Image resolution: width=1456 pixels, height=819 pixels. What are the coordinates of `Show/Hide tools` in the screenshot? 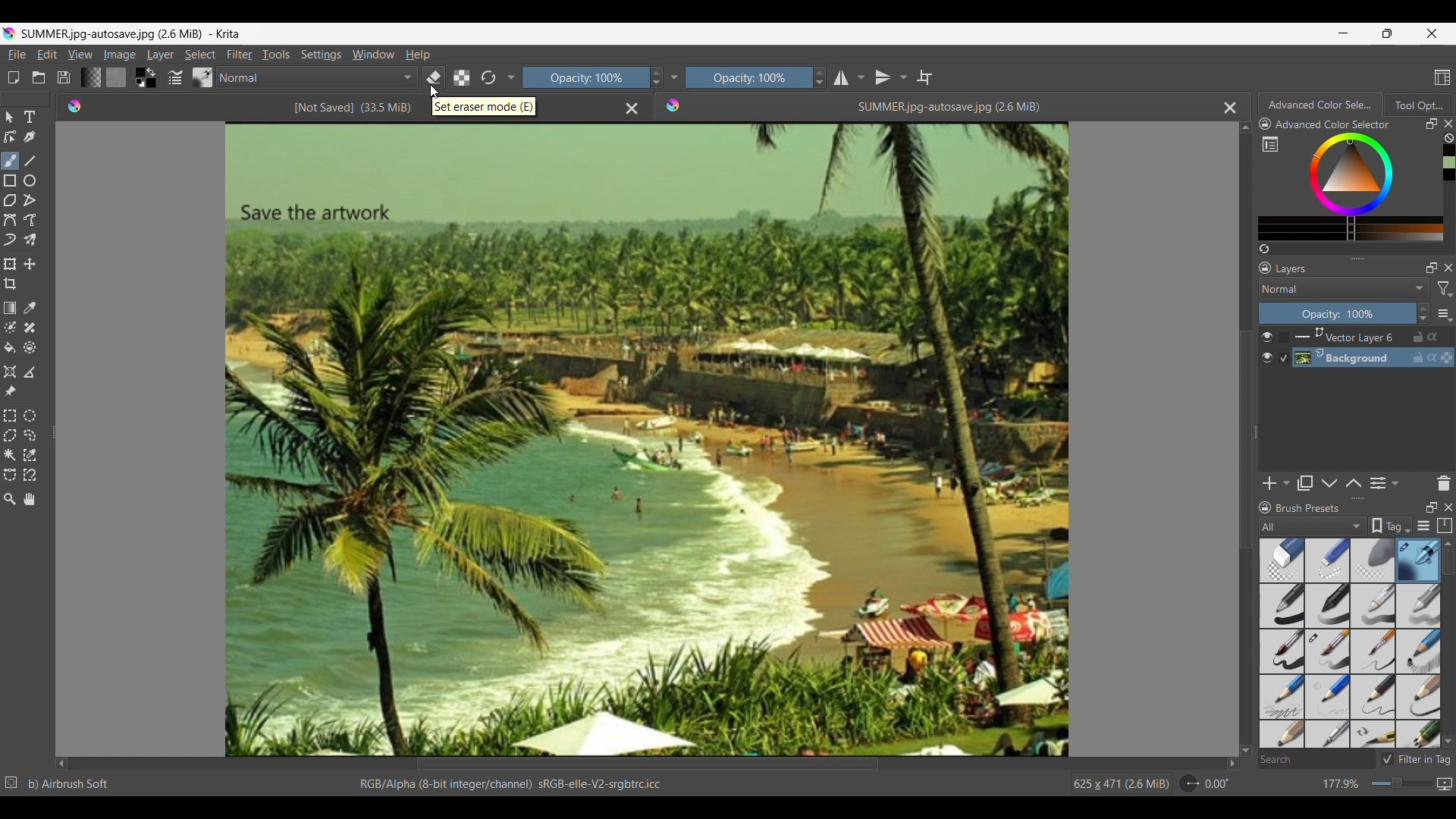 It's located at (512, 78).